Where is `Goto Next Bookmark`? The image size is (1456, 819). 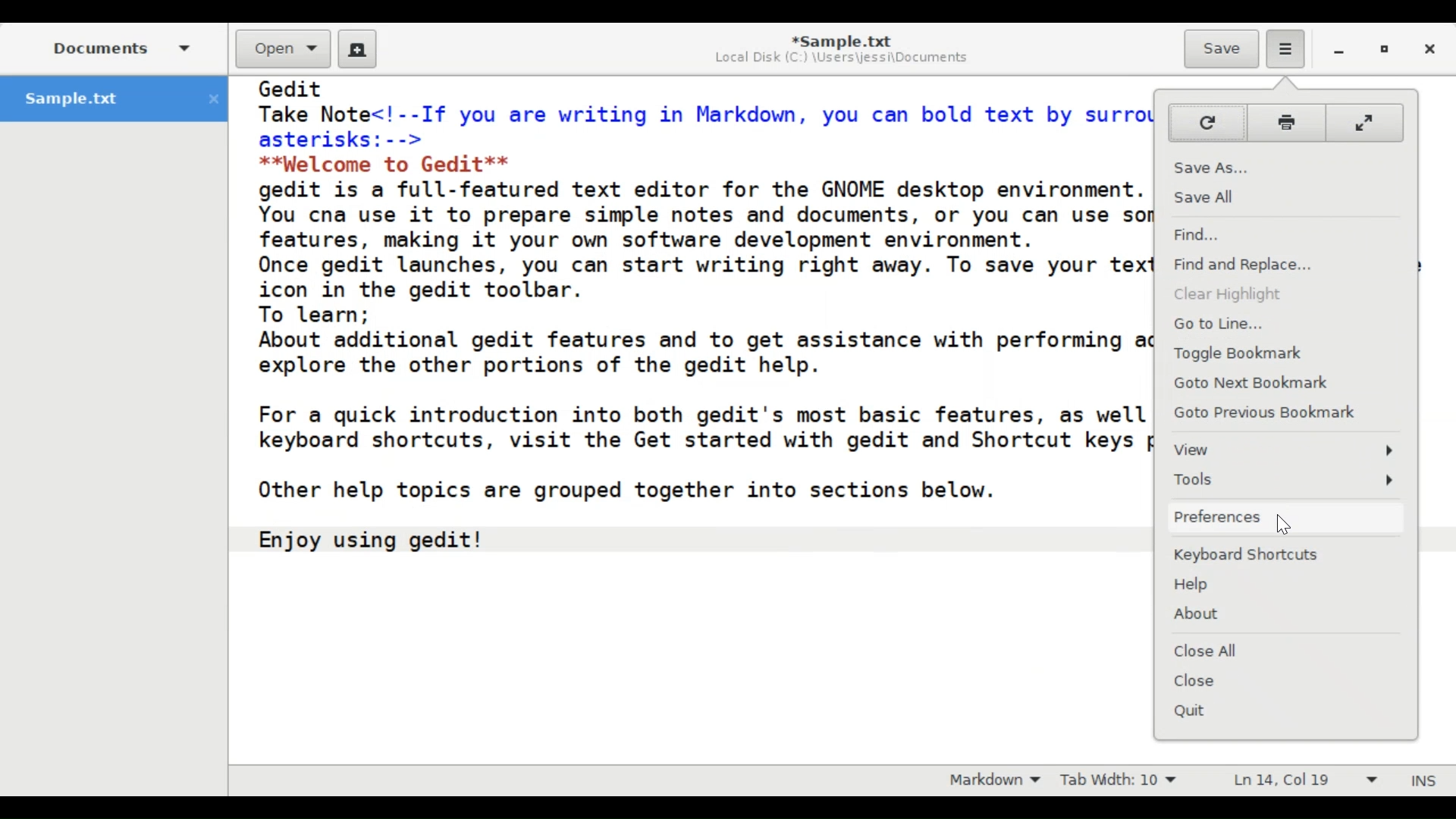
Goto Next Bookmark is located at coordinates (1287, 383).